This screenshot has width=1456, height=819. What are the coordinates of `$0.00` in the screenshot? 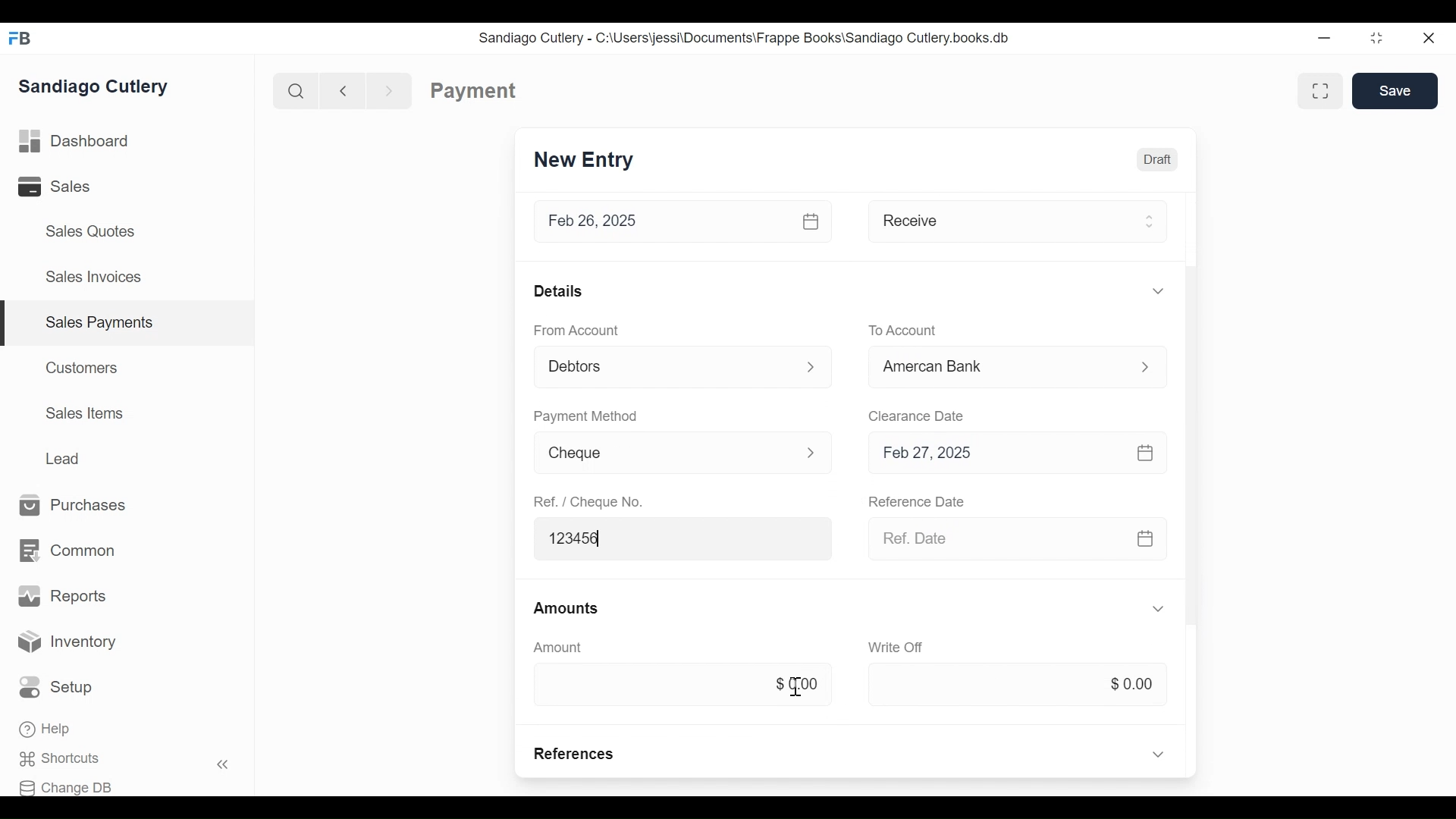 It's located at (679, 682).